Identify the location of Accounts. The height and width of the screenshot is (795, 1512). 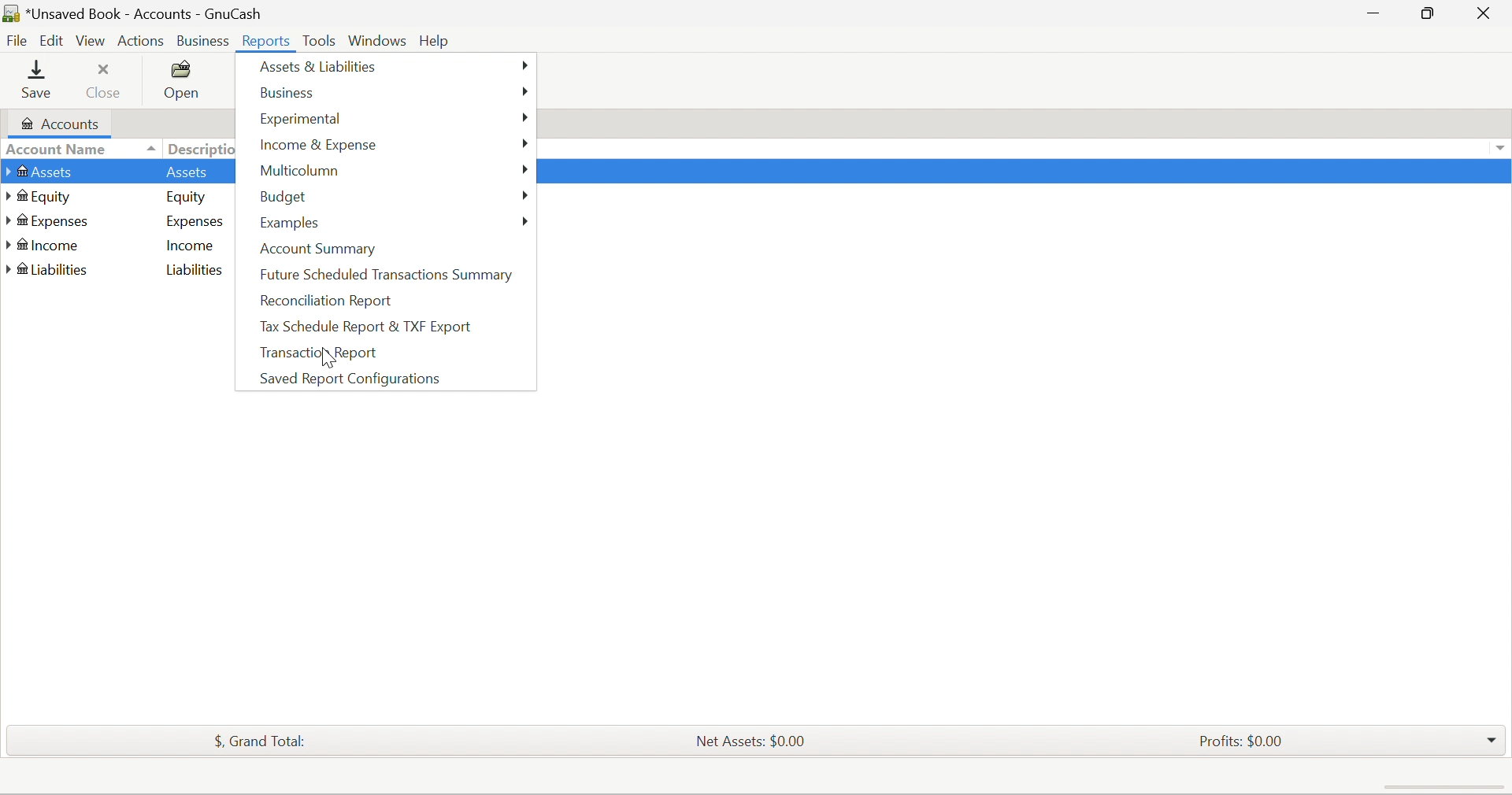
(59, 124).